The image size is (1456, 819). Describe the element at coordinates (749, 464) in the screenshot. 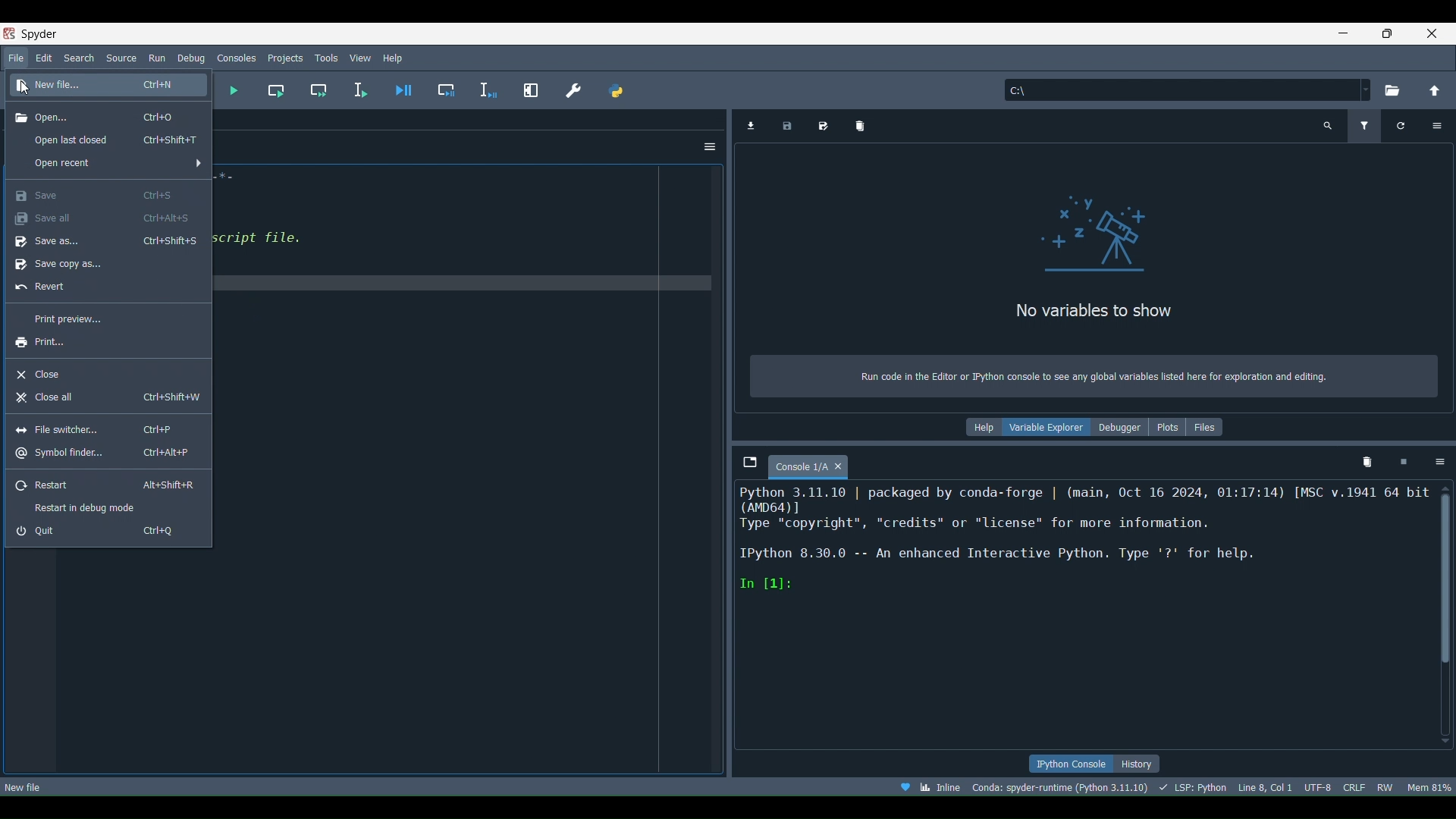

I see `Browse tabs` at that location.